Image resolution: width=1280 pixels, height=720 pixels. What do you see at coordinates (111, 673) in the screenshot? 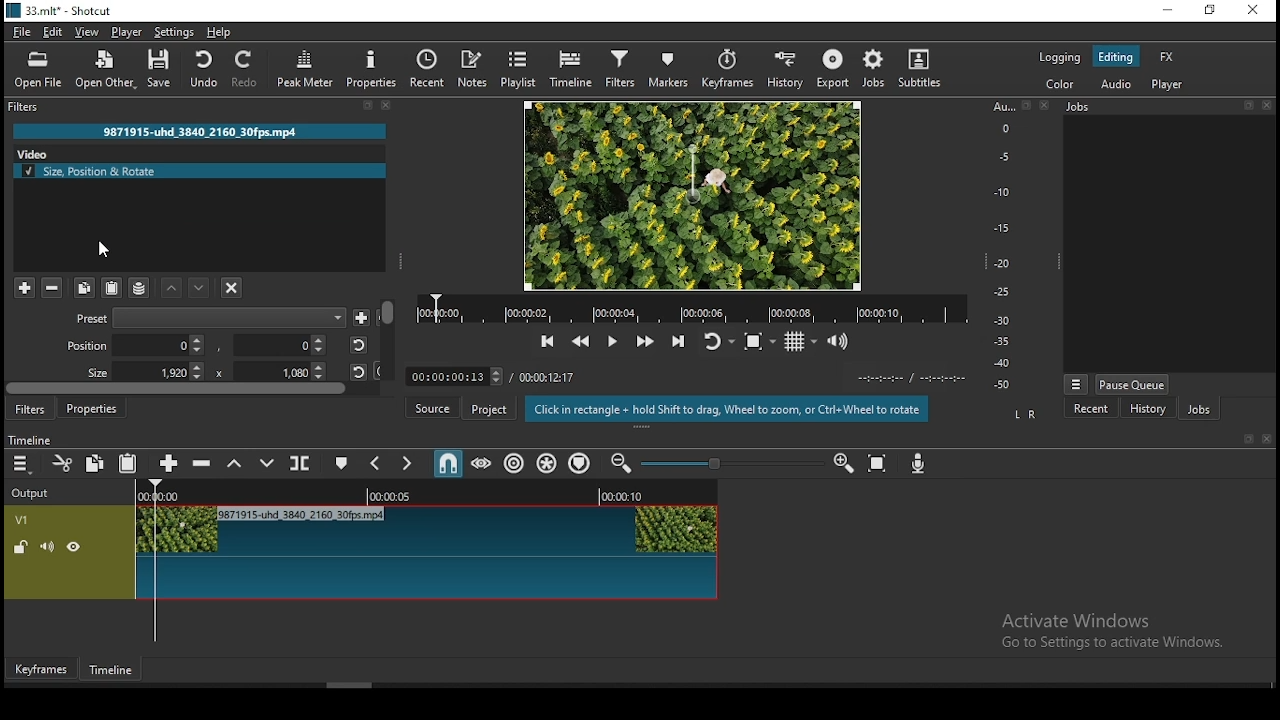
I see `timeline` at bounding box center [111, 673].